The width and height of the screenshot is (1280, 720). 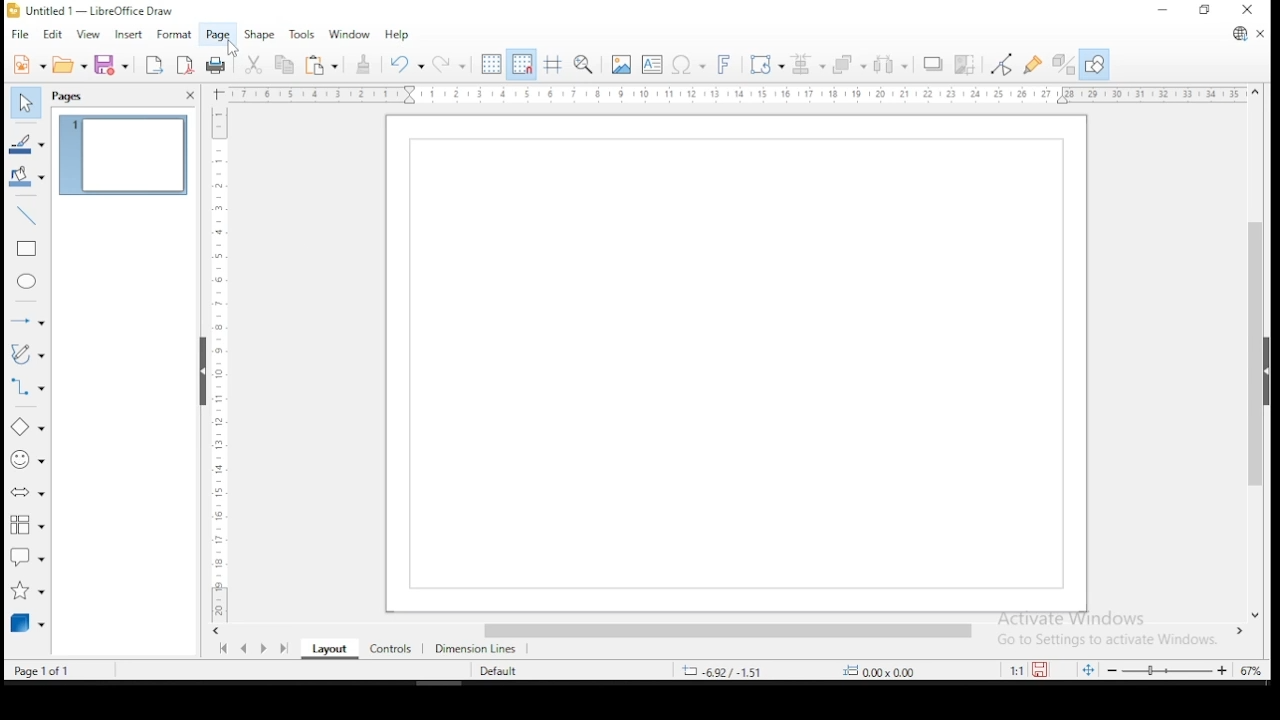 I want to click on scroll bar, so click(x=1256, y=353).